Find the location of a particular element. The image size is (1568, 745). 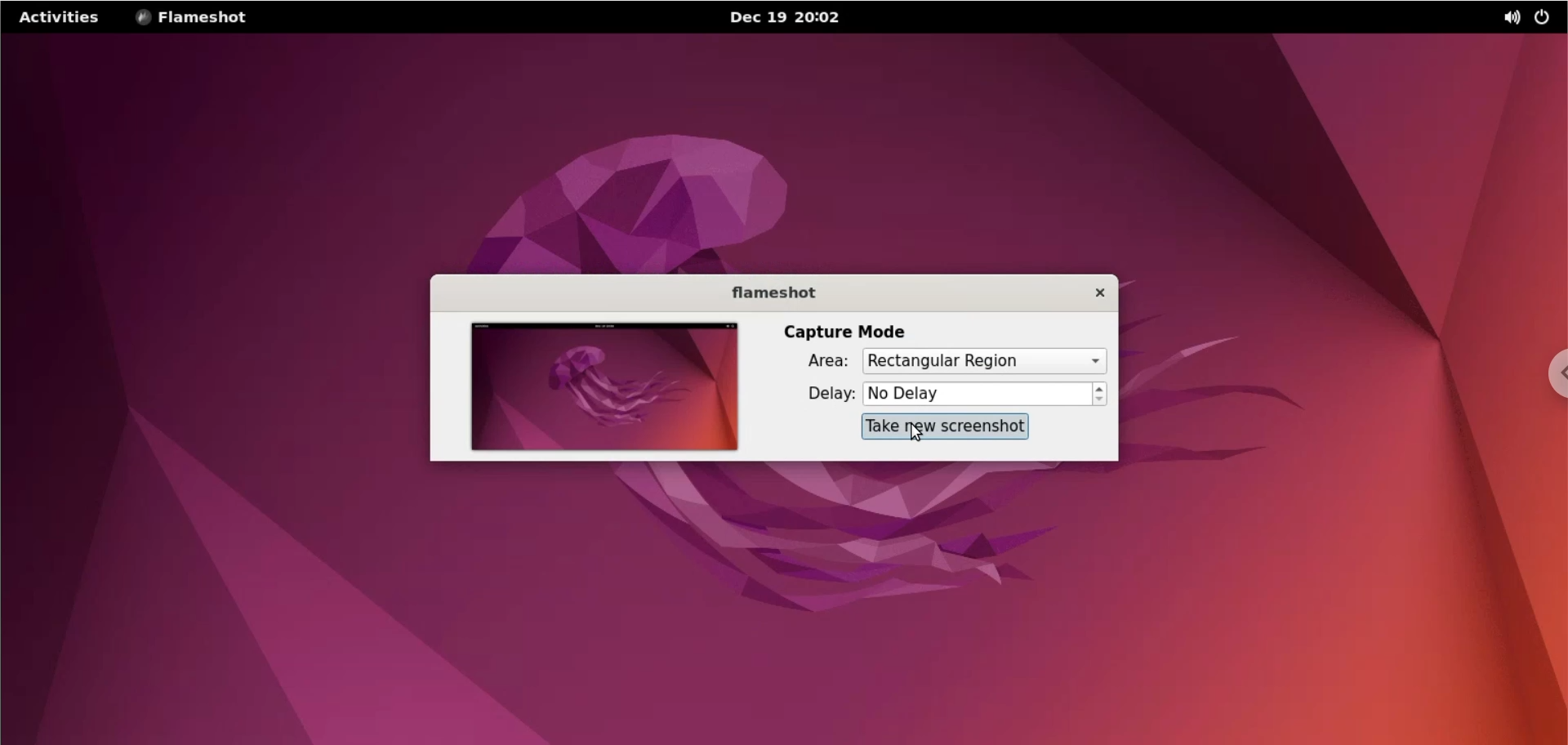

close is located at coordinates (1094, 294).